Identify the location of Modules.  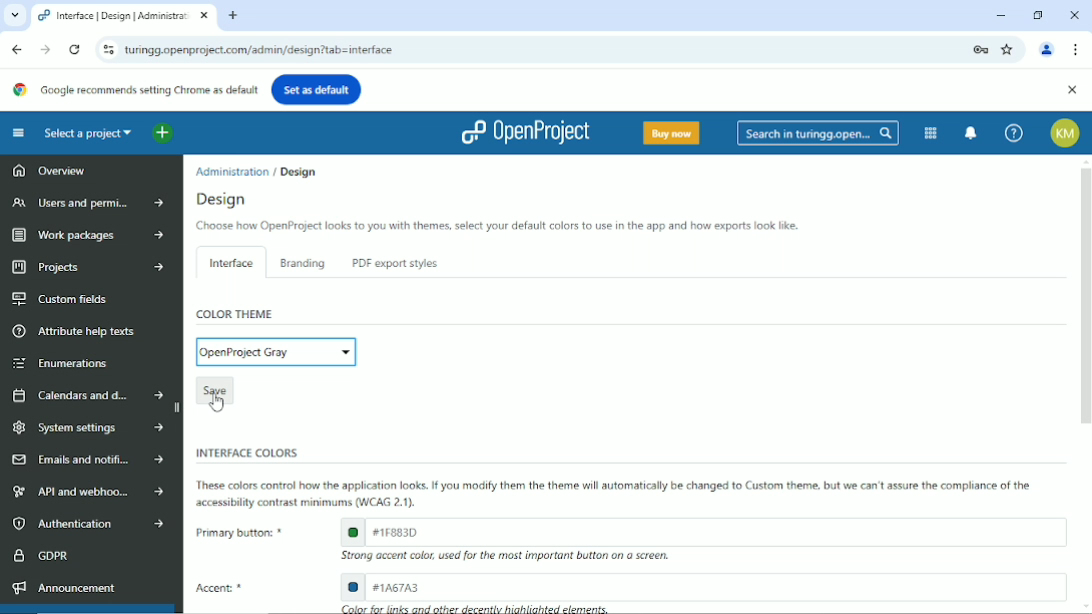
(929, 132).